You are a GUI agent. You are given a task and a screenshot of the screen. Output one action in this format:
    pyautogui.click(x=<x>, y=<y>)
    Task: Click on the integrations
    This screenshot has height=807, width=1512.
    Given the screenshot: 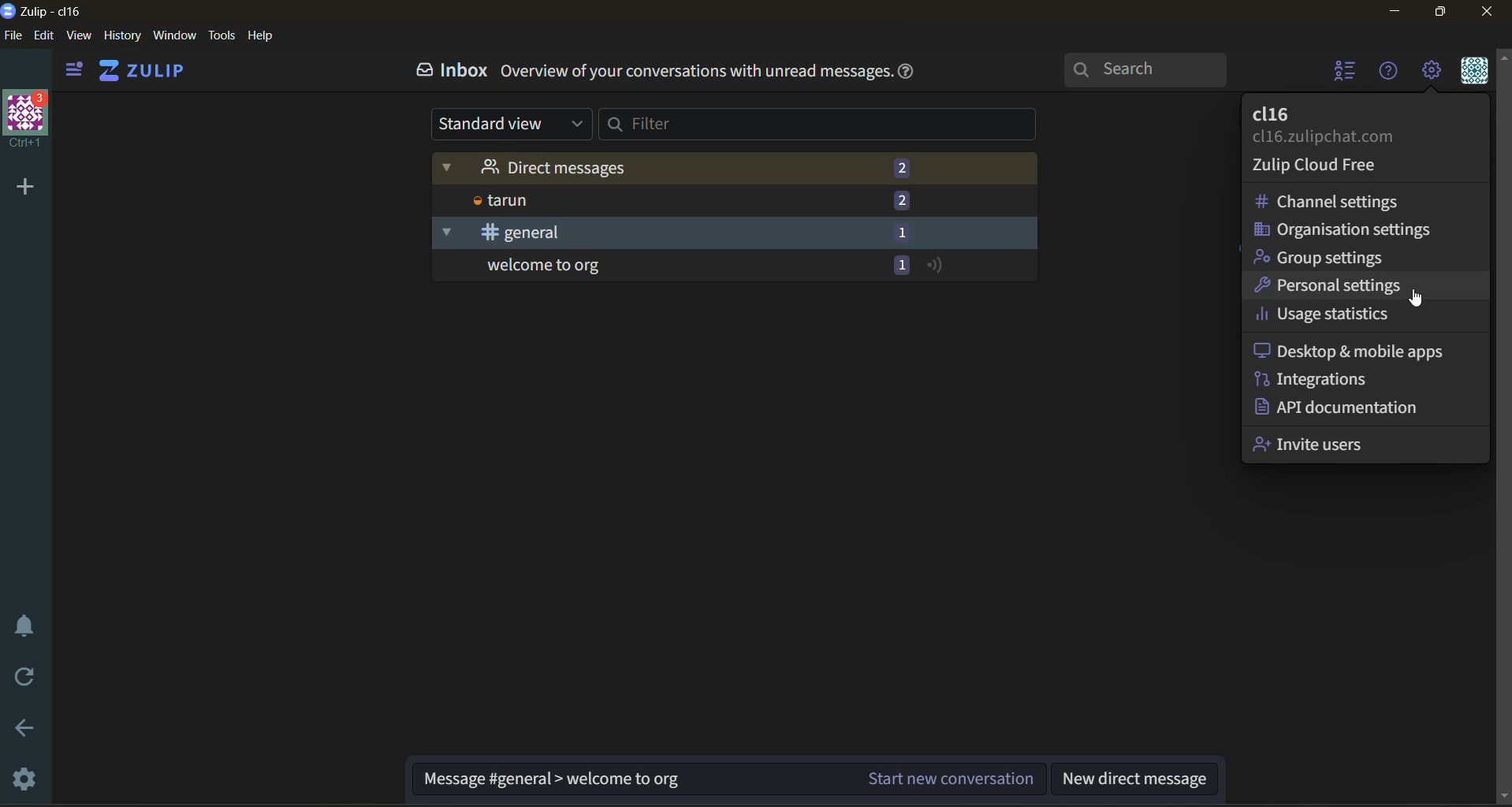 What is the action you would take?
    pyautogui.click(x=1364, y=377)
    